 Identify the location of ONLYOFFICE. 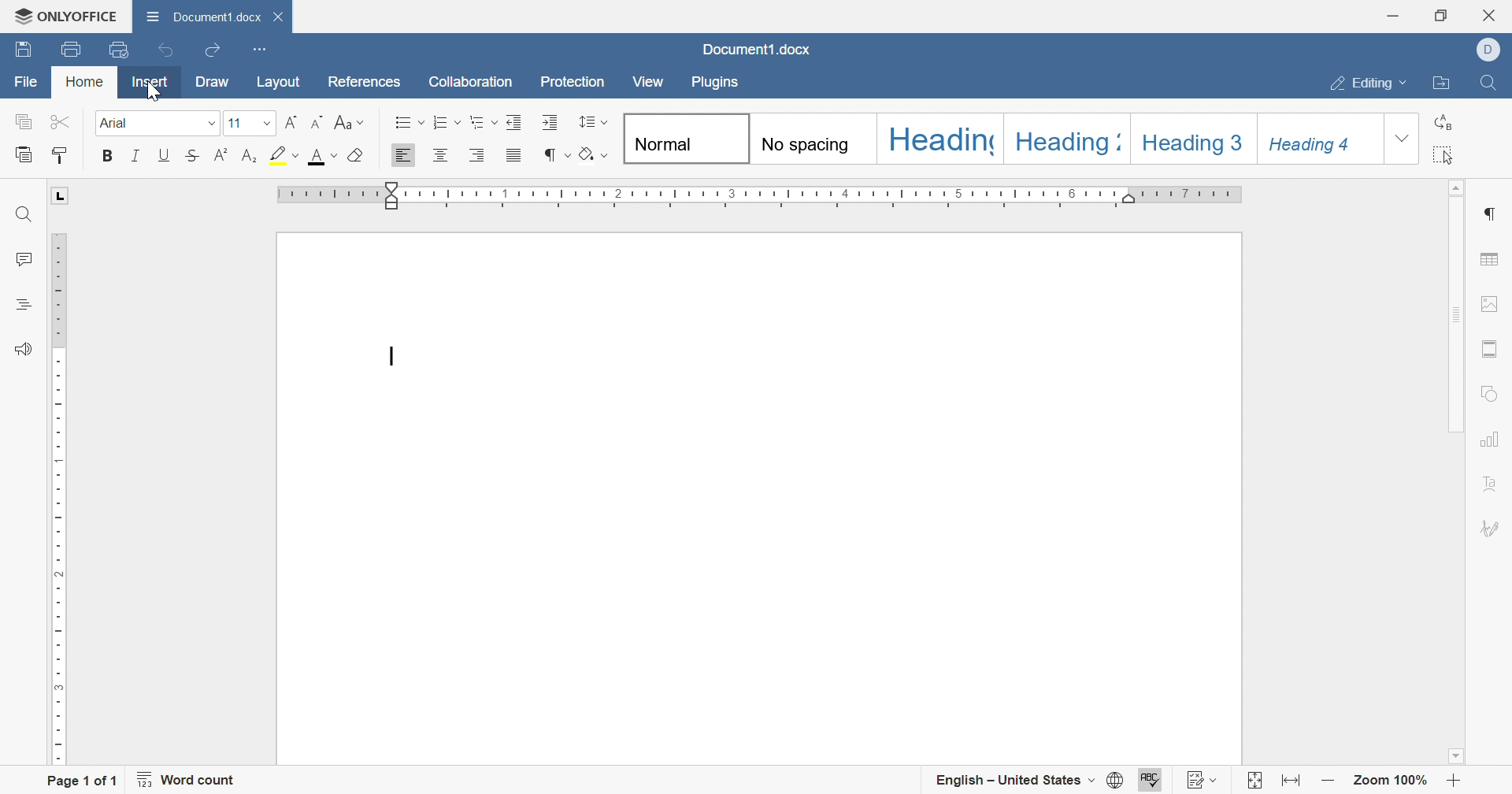
(67, 16).